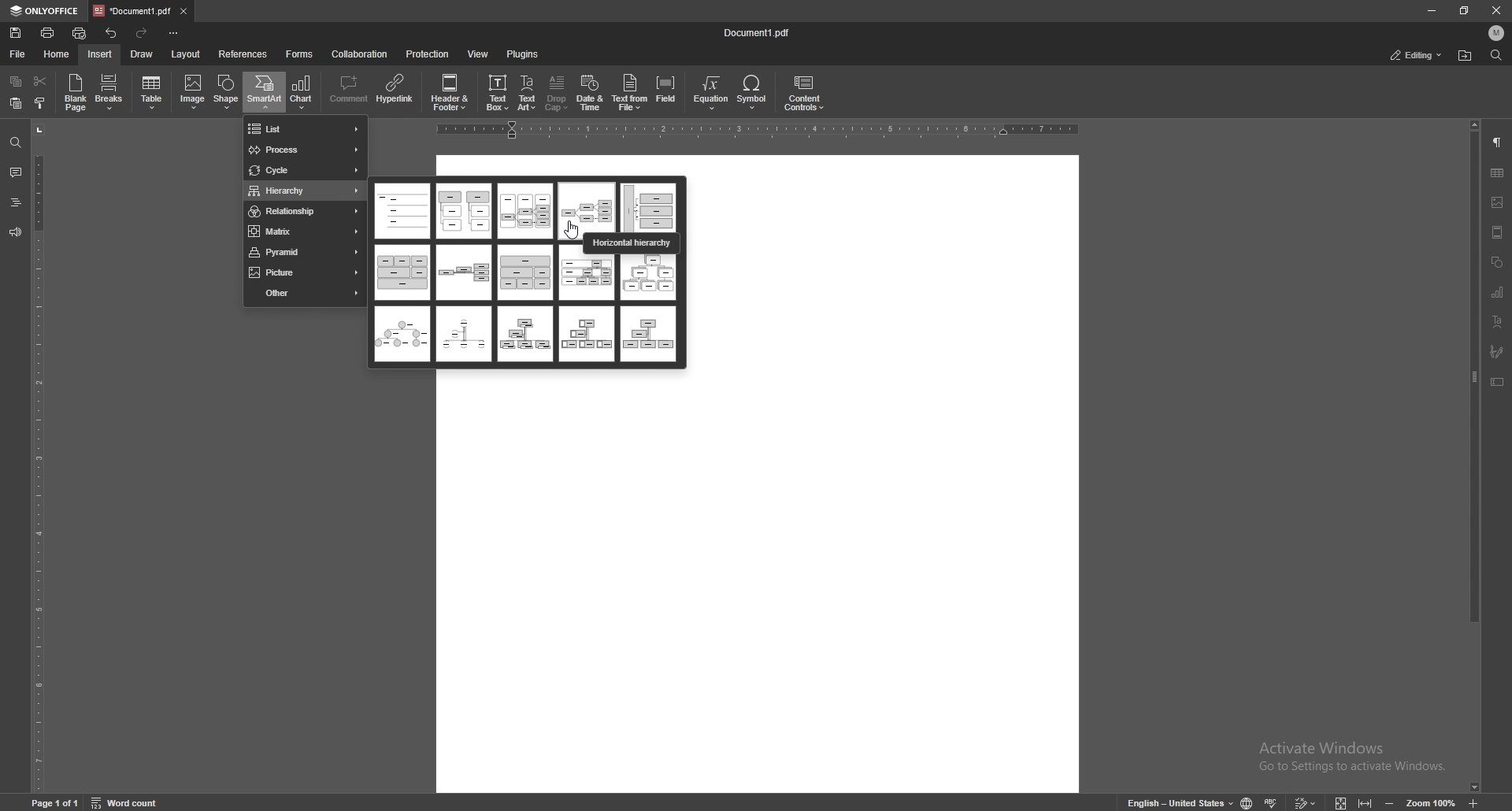  What do you see at coordinates (43, 12) in the screenshot?
I see `onlyoffice` at bounding box center [43, 12].